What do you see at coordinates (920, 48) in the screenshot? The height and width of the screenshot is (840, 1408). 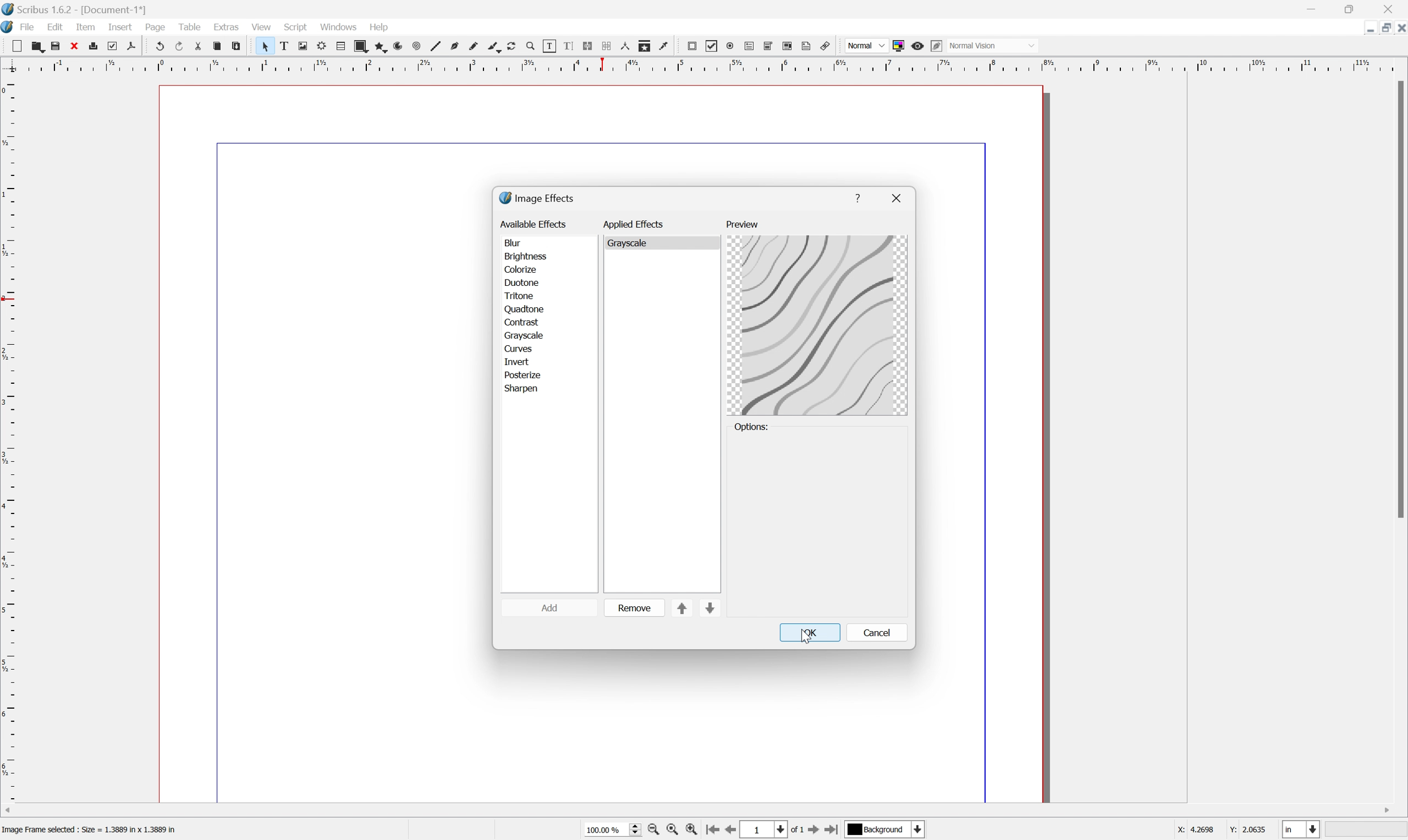 I see `Preview mode` at bounding box center [920, 48].